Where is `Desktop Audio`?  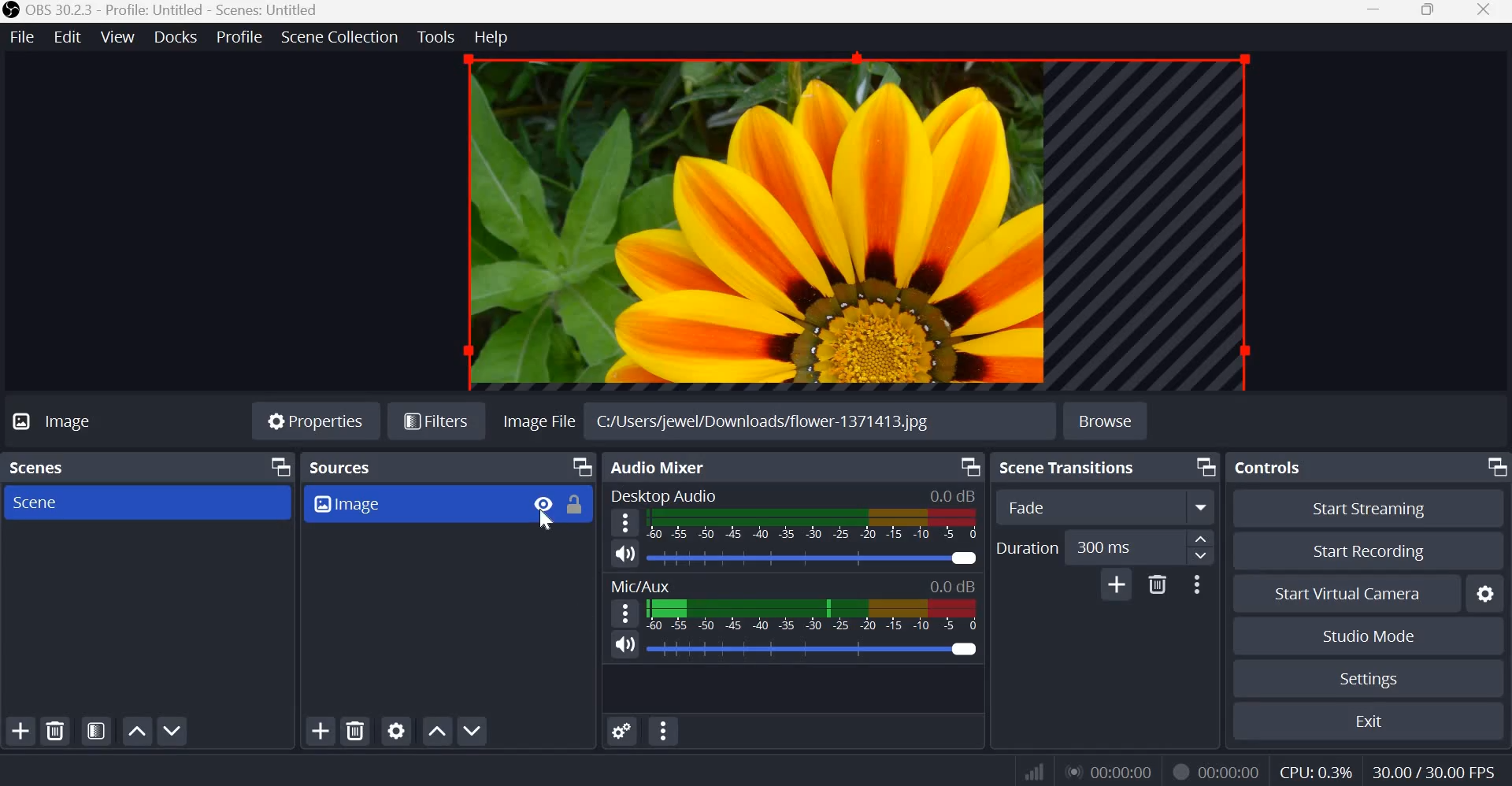 Desktop Audio is located at coordinates (665, 495).